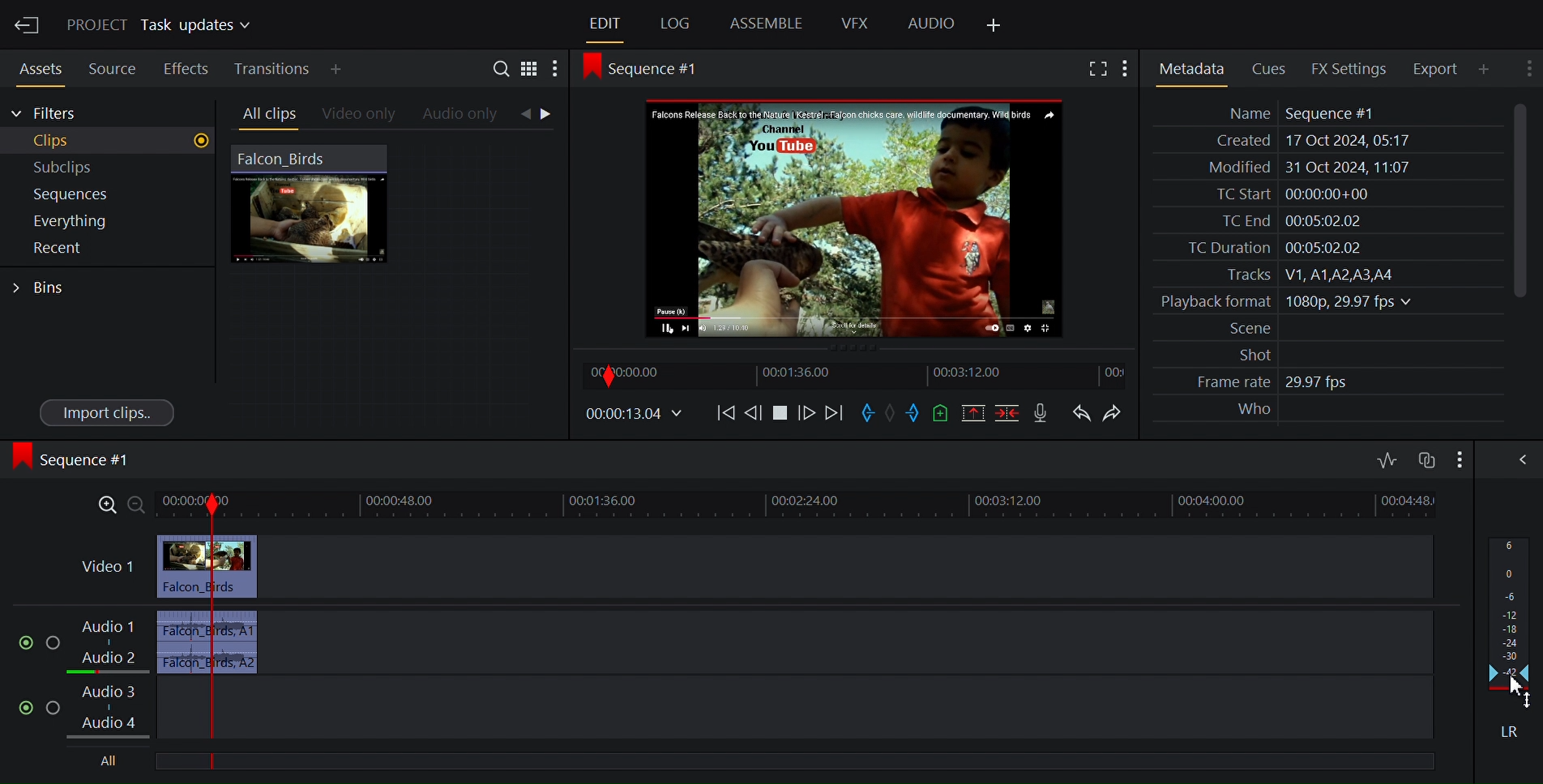  What do you see at coordinates (755, 415) in the screenshot?
I see `Nudge one frame backwards` at bounding box center [755, 415].